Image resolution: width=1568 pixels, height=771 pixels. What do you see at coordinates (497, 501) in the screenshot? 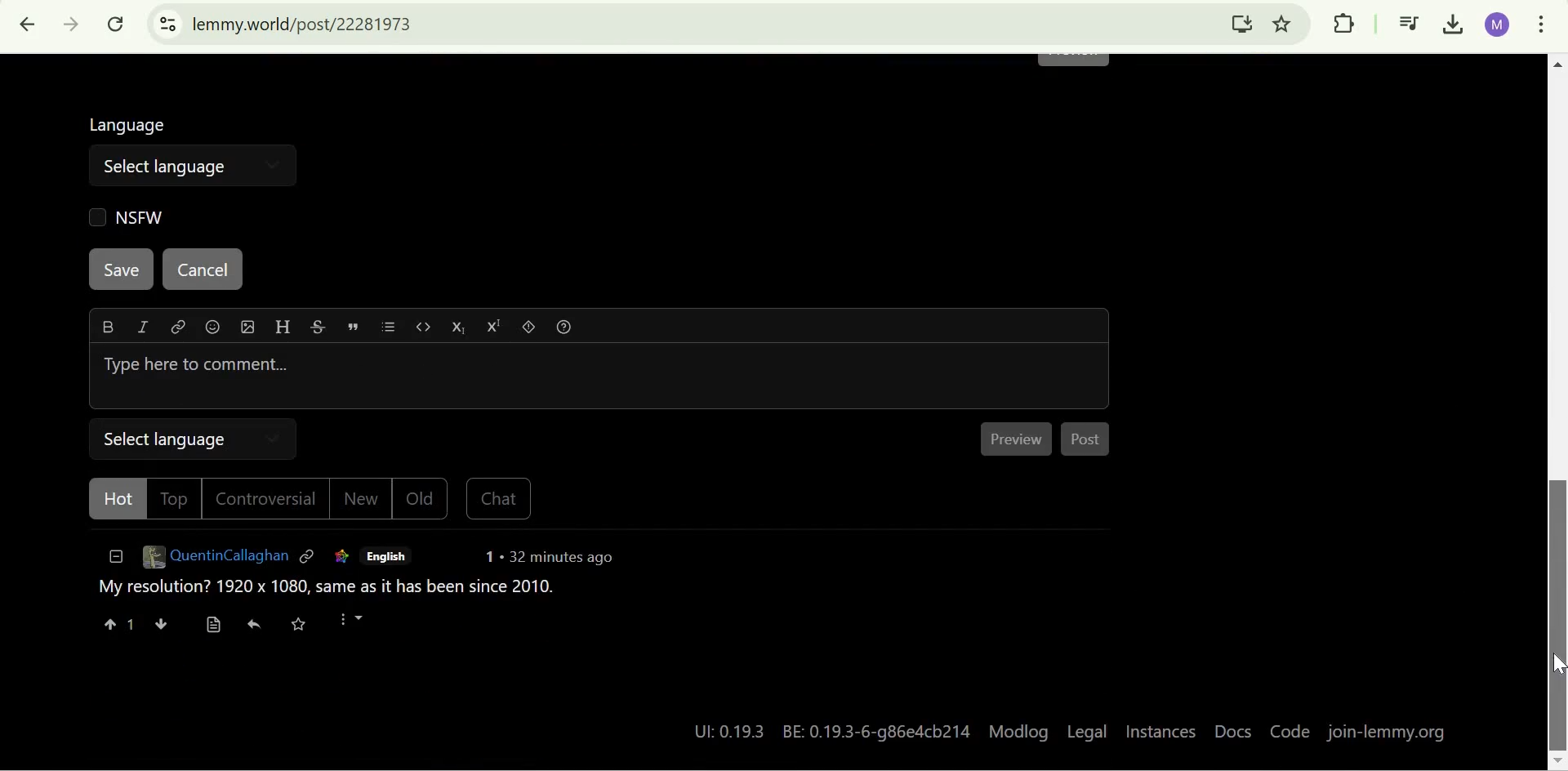
I see `Chat` at bounding box center [497, 501].